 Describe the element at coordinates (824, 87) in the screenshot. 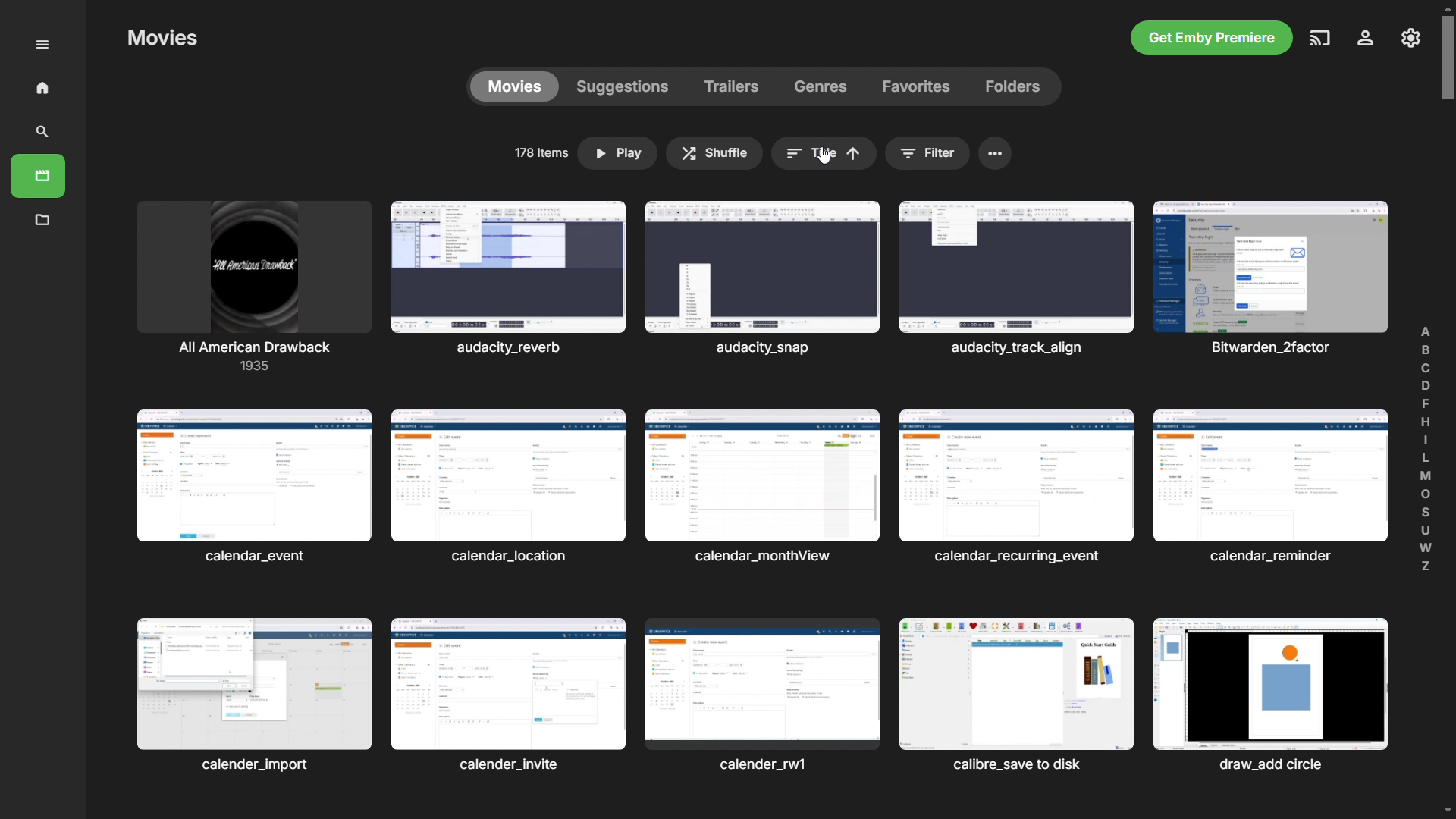

I see `genres` at that location.